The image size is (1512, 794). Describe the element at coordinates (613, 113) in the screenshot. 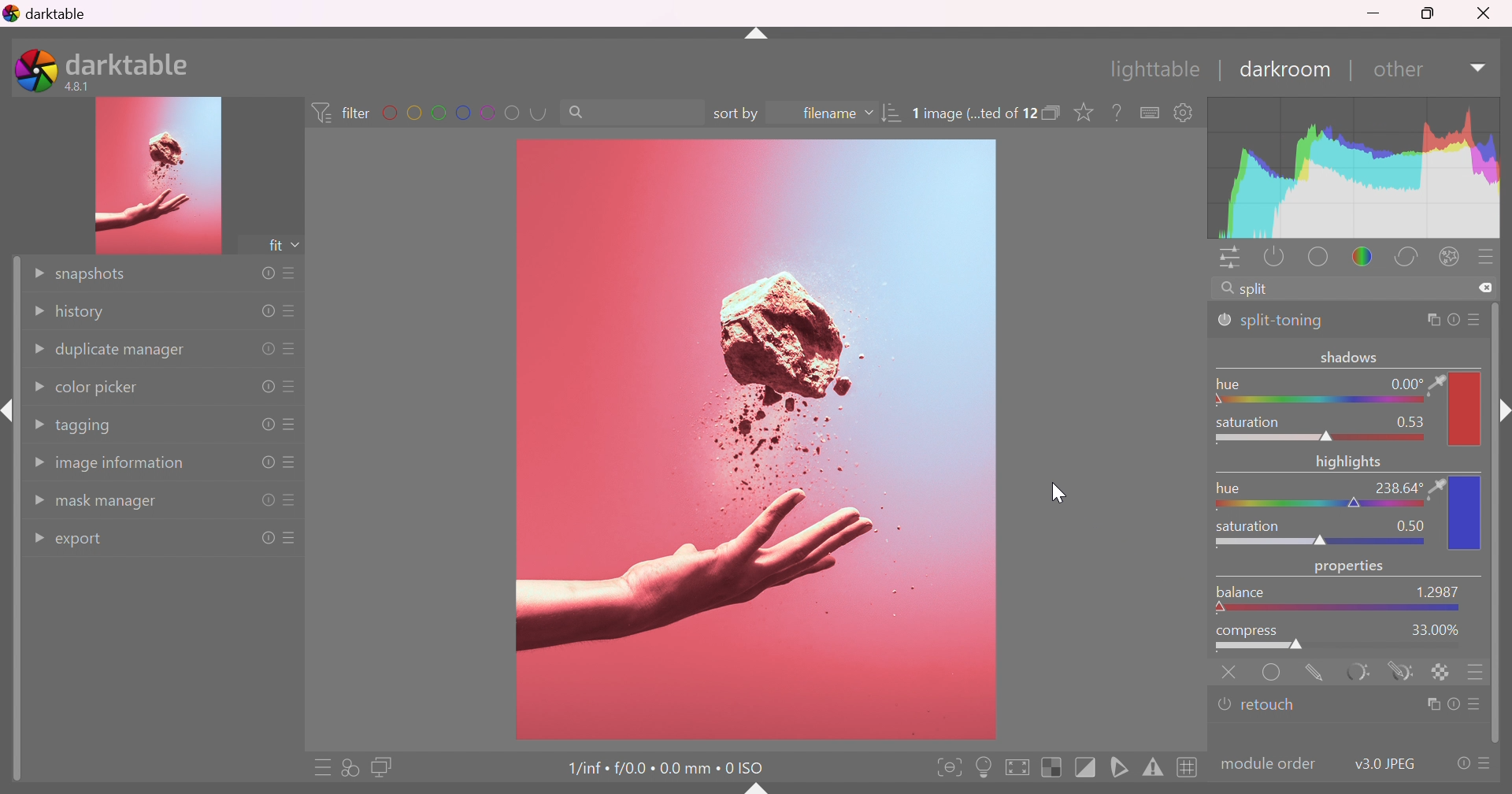

I see `search` at that location.